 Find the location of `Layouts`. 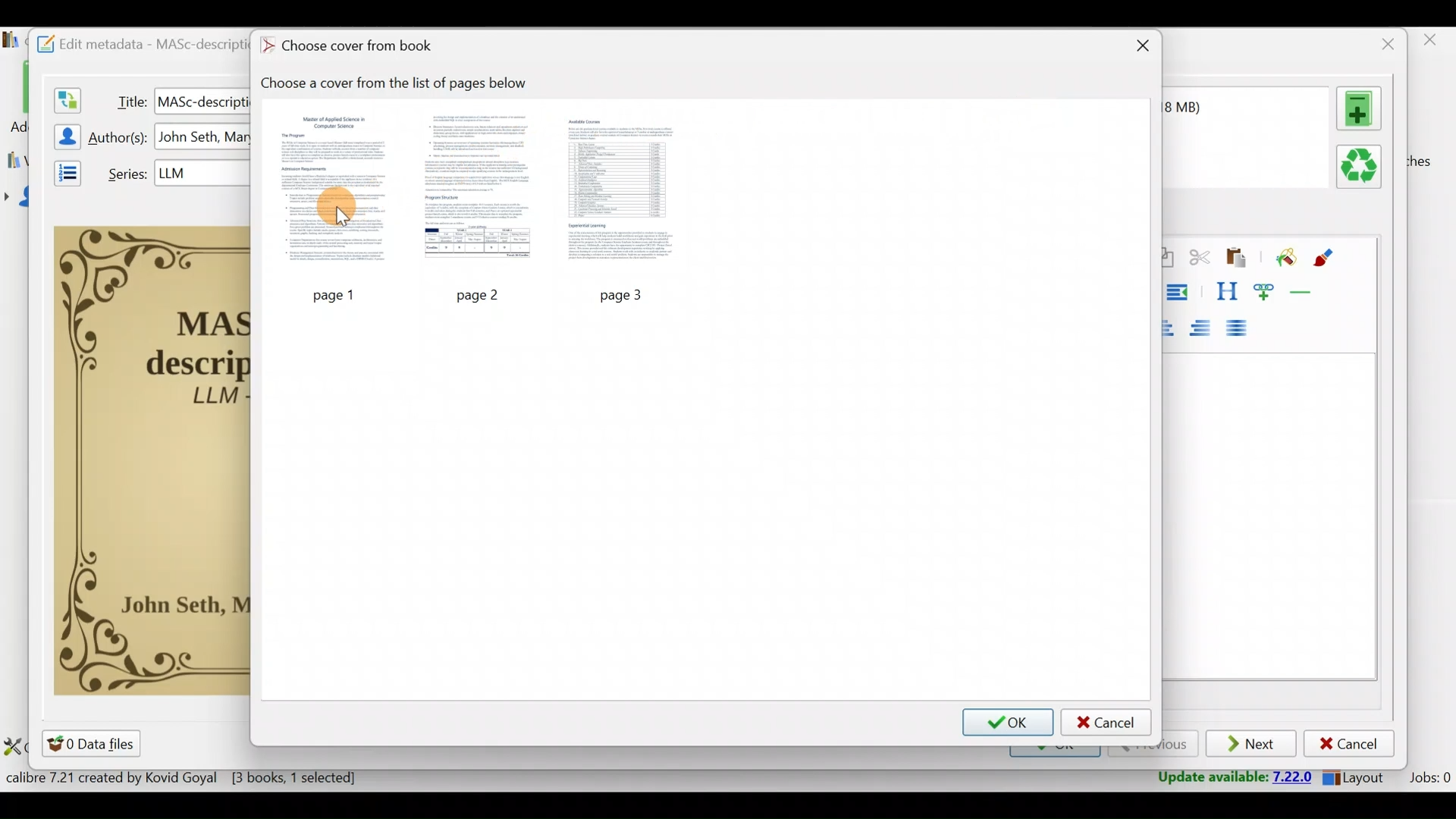

Layouts is located at coordinates (1358, 777).